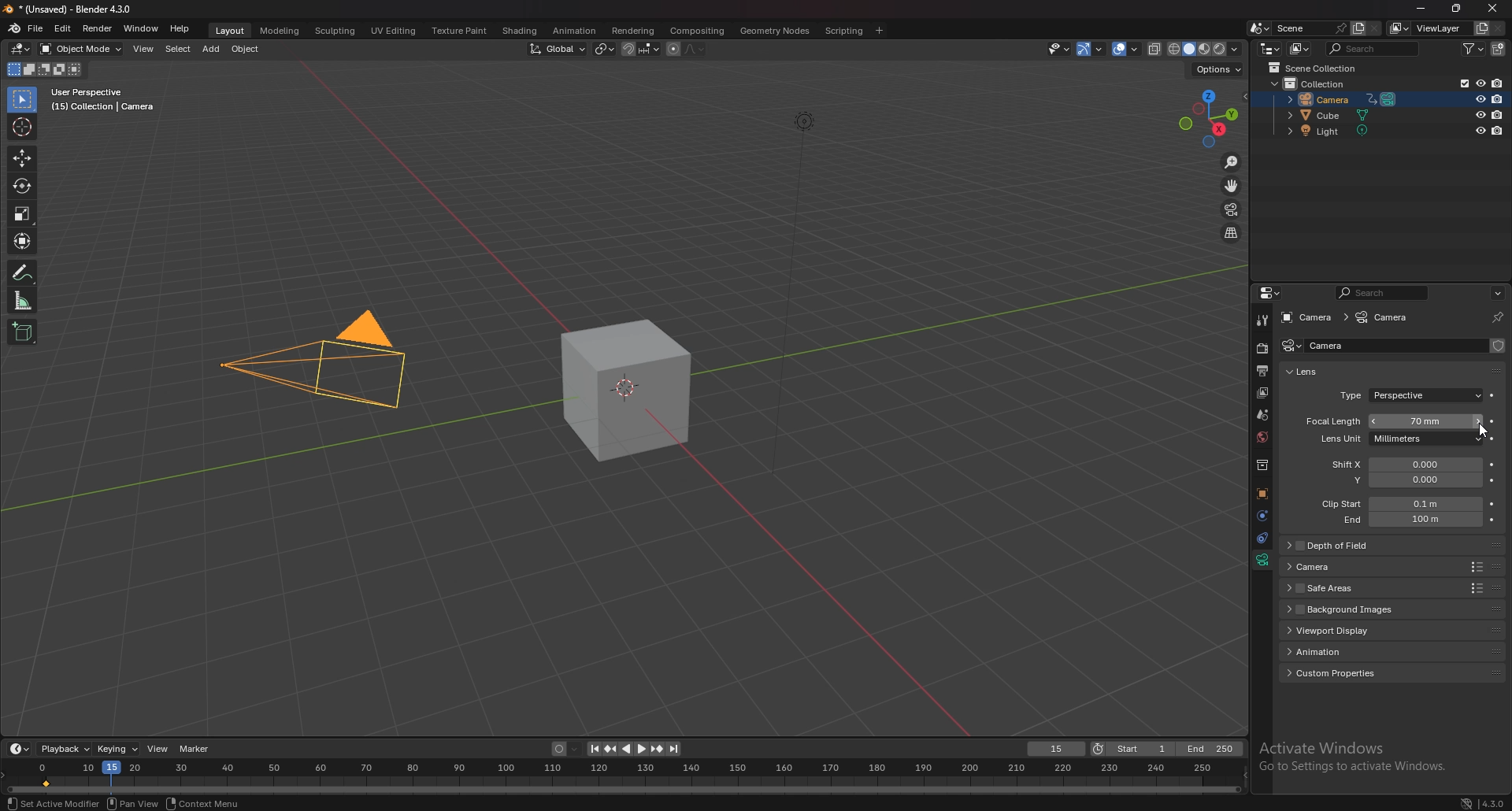 The height and width of the screenshot is (811, 1512). What do you see at coordinates (1356, 630) in the screenshot?
I see `viewport display` at bounding box center [1356, 630].